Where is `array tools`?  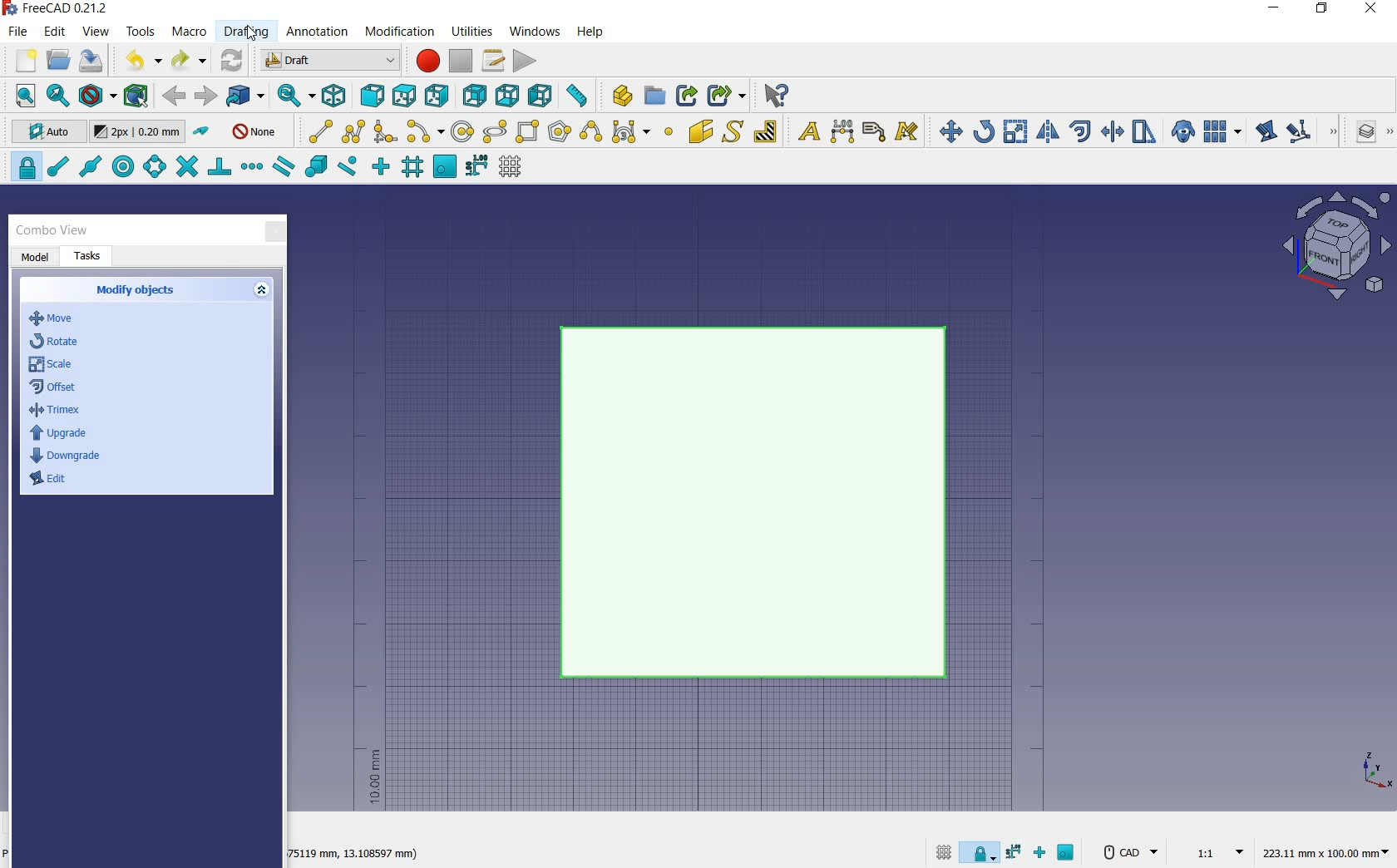 array tools is located at coordinates (1223, 133).